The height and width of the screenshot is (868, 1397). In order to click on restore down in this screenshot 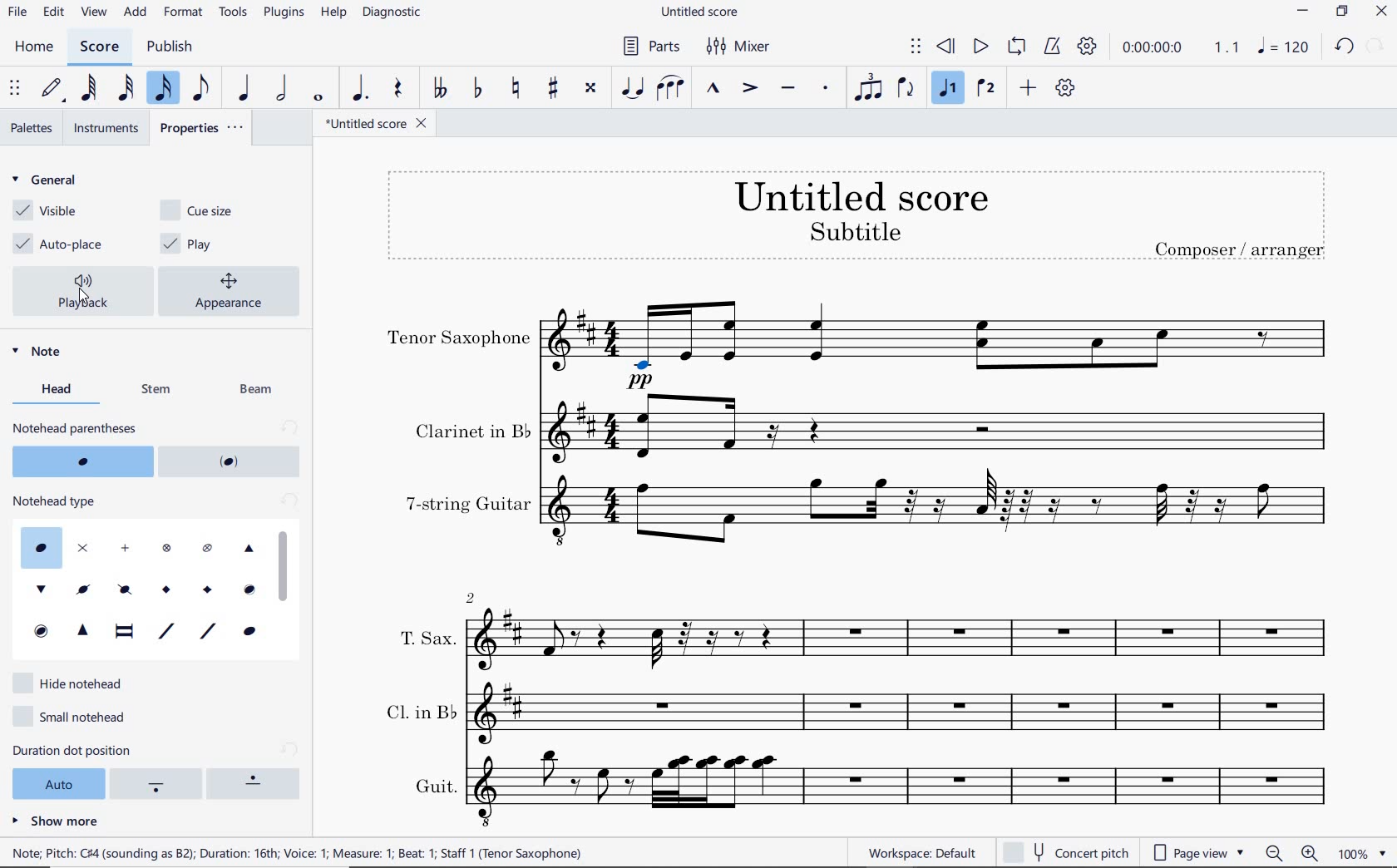, I will do `click(1342, 12)`.